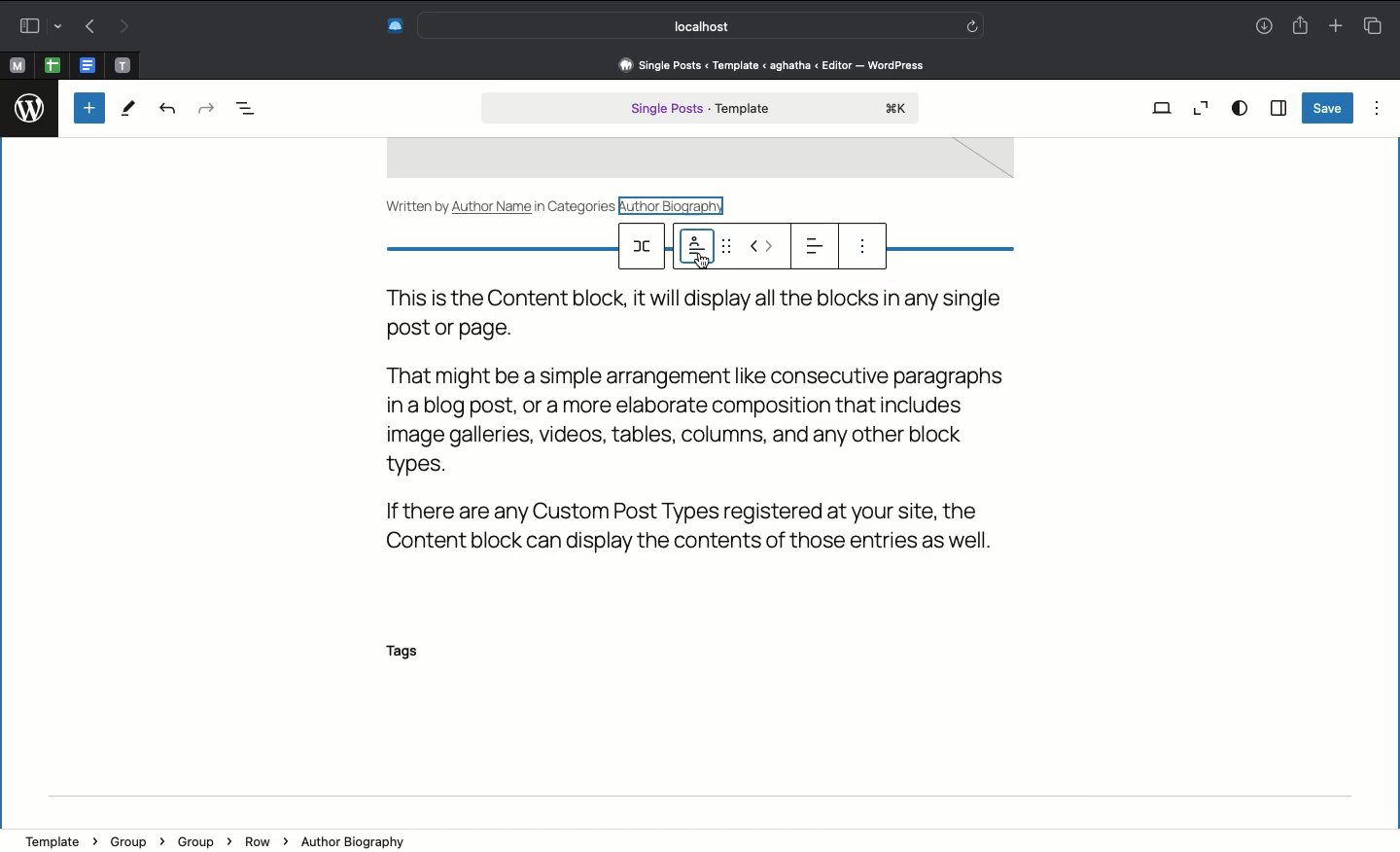 The image size is (1400, 852). Describe the element at coordinates (699, 160) in the screenshot. I see `image` at that location.